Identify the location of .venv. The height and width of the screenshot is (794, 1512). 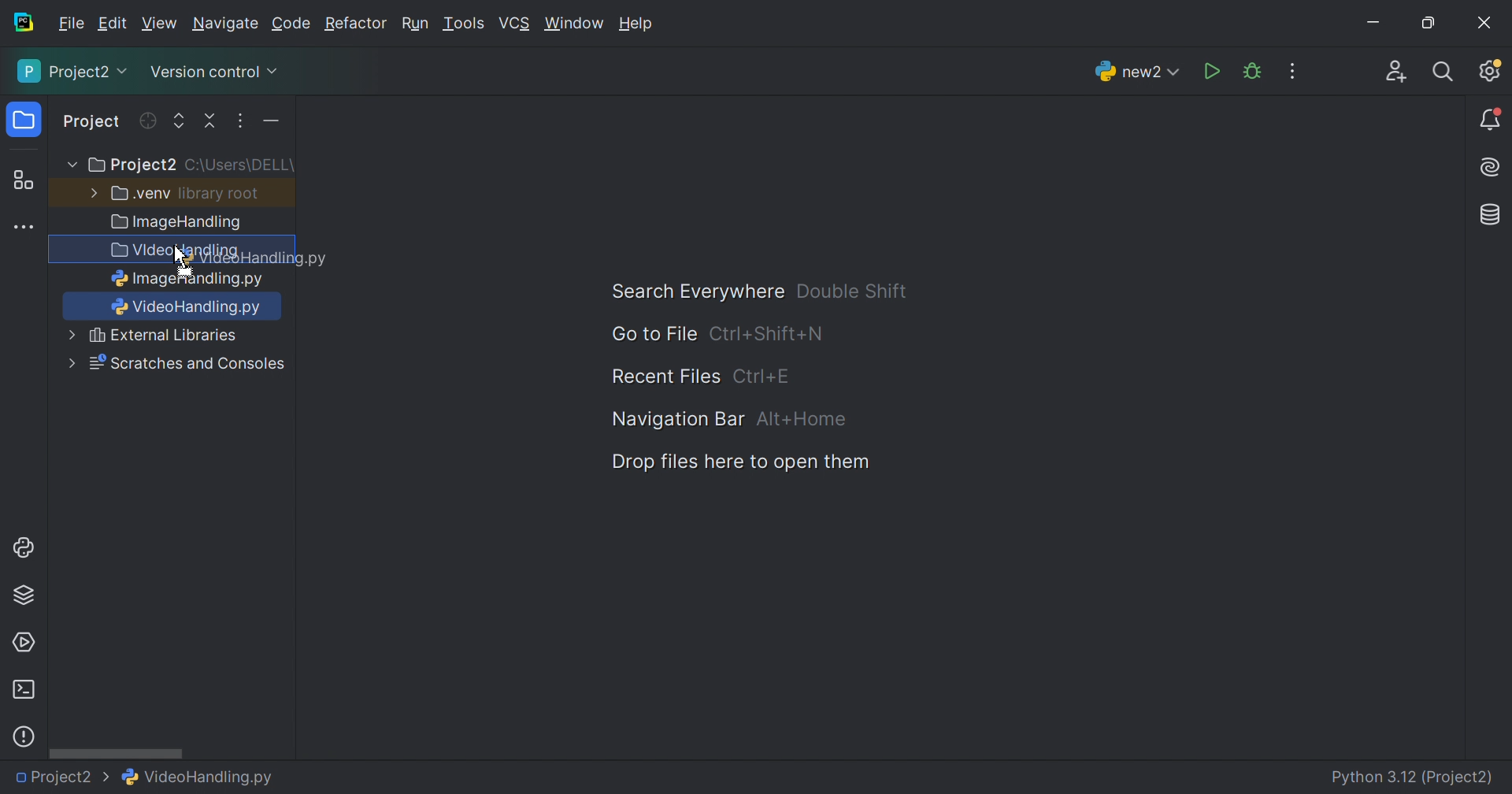
(141, 194).